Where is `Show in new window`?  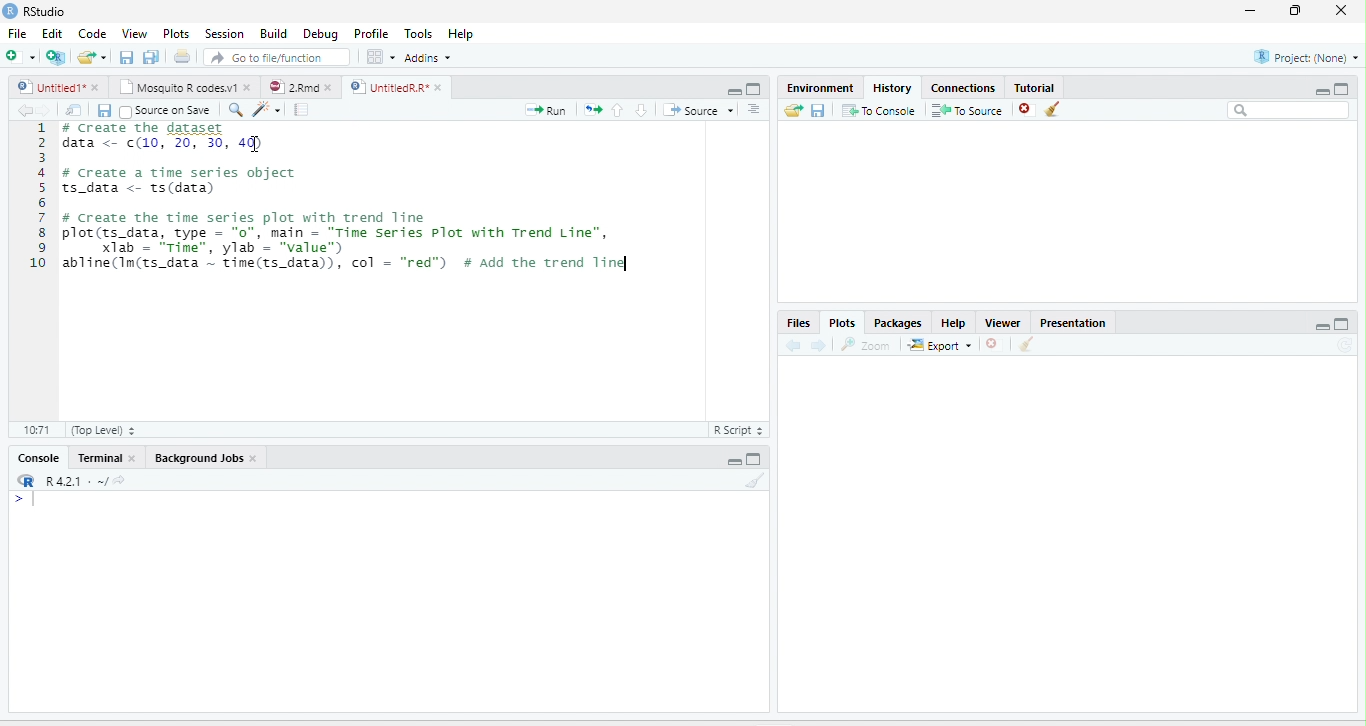
Show in new window is located at coordinates (74, 109).